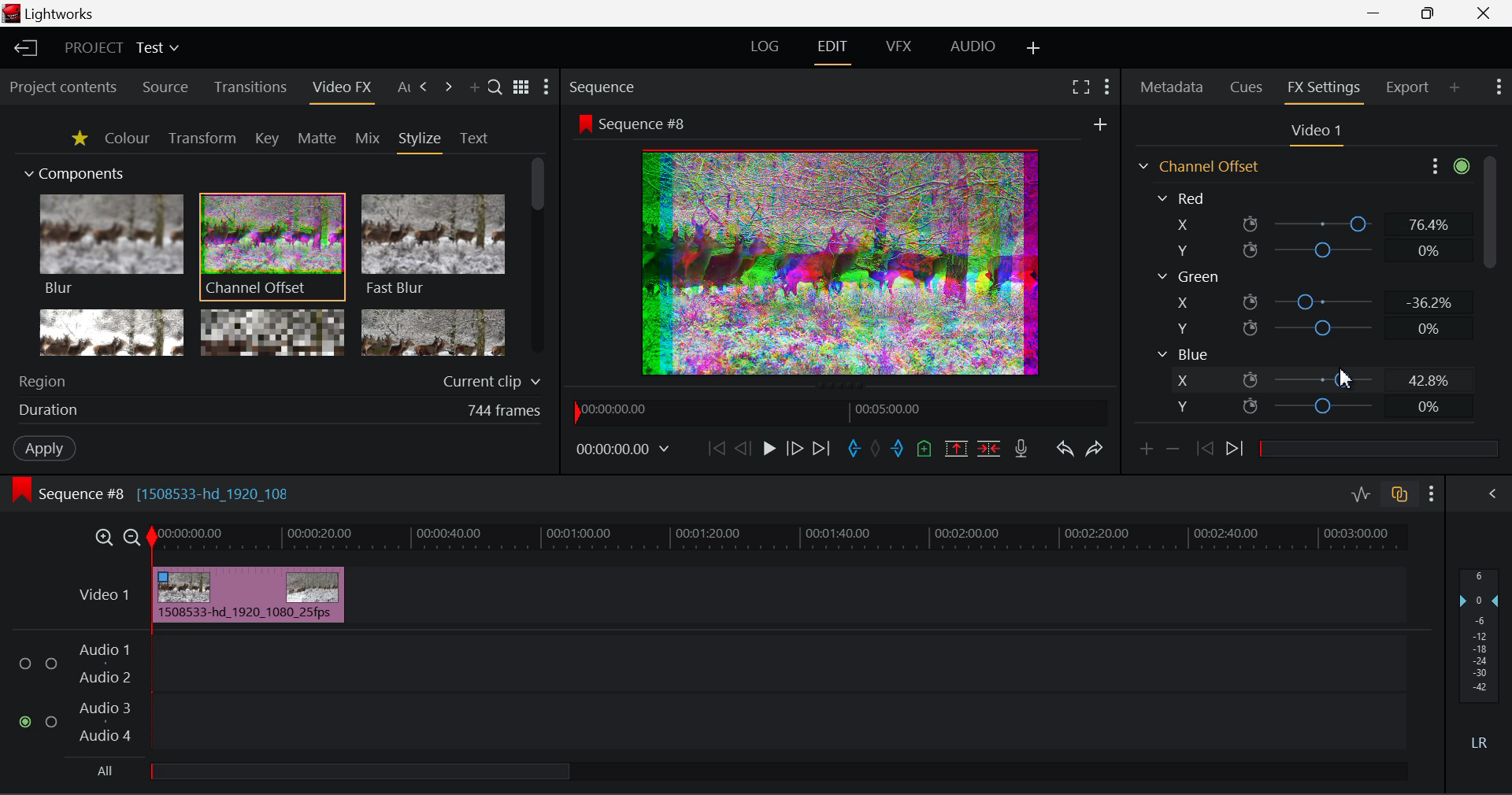 This screenshot has width=1512, height=795. I want to click on Transitions, so click(249, 87).